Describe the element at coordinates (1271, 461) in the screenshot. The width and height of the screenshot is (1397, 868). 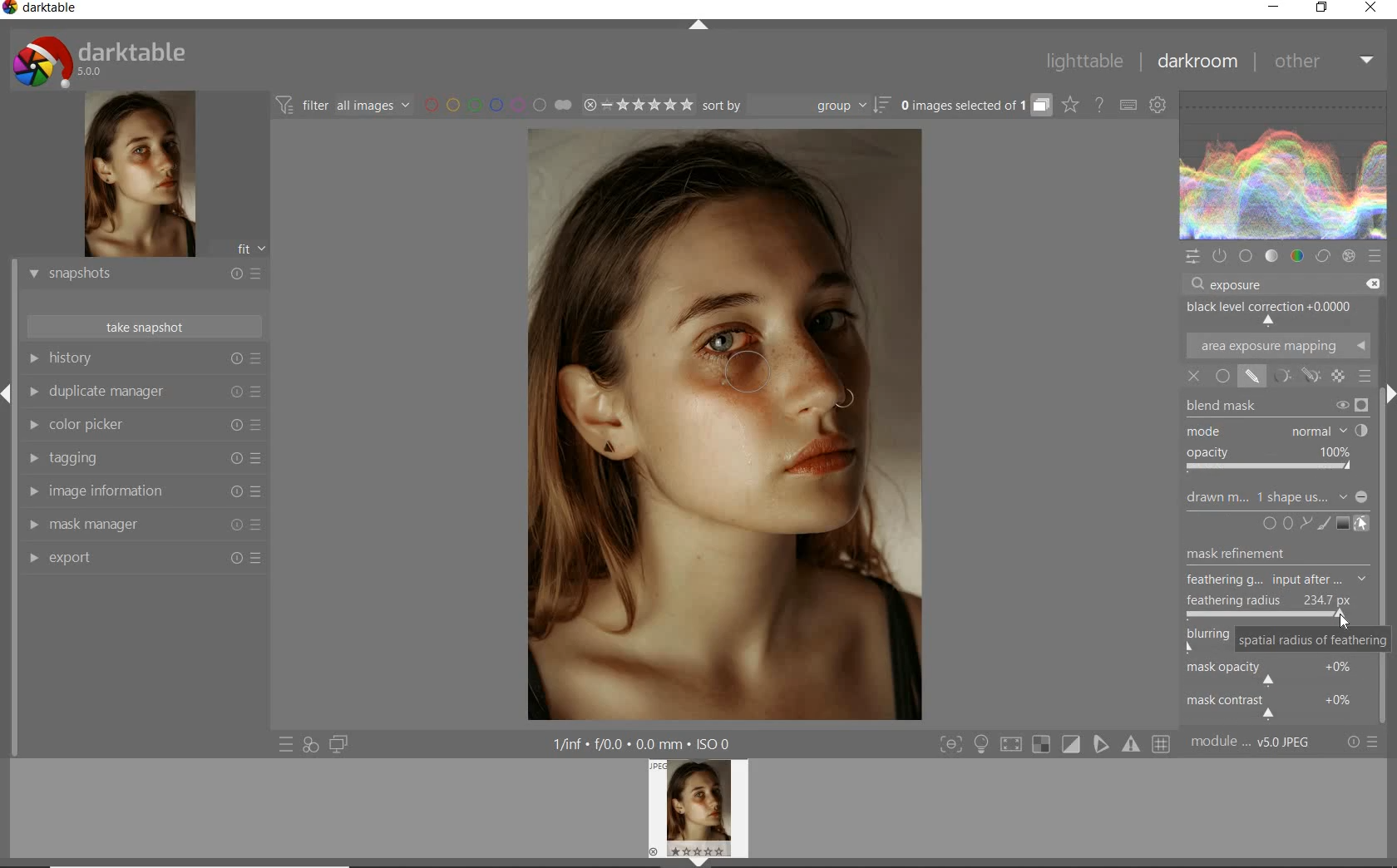
I see `OPACITY` at that location.